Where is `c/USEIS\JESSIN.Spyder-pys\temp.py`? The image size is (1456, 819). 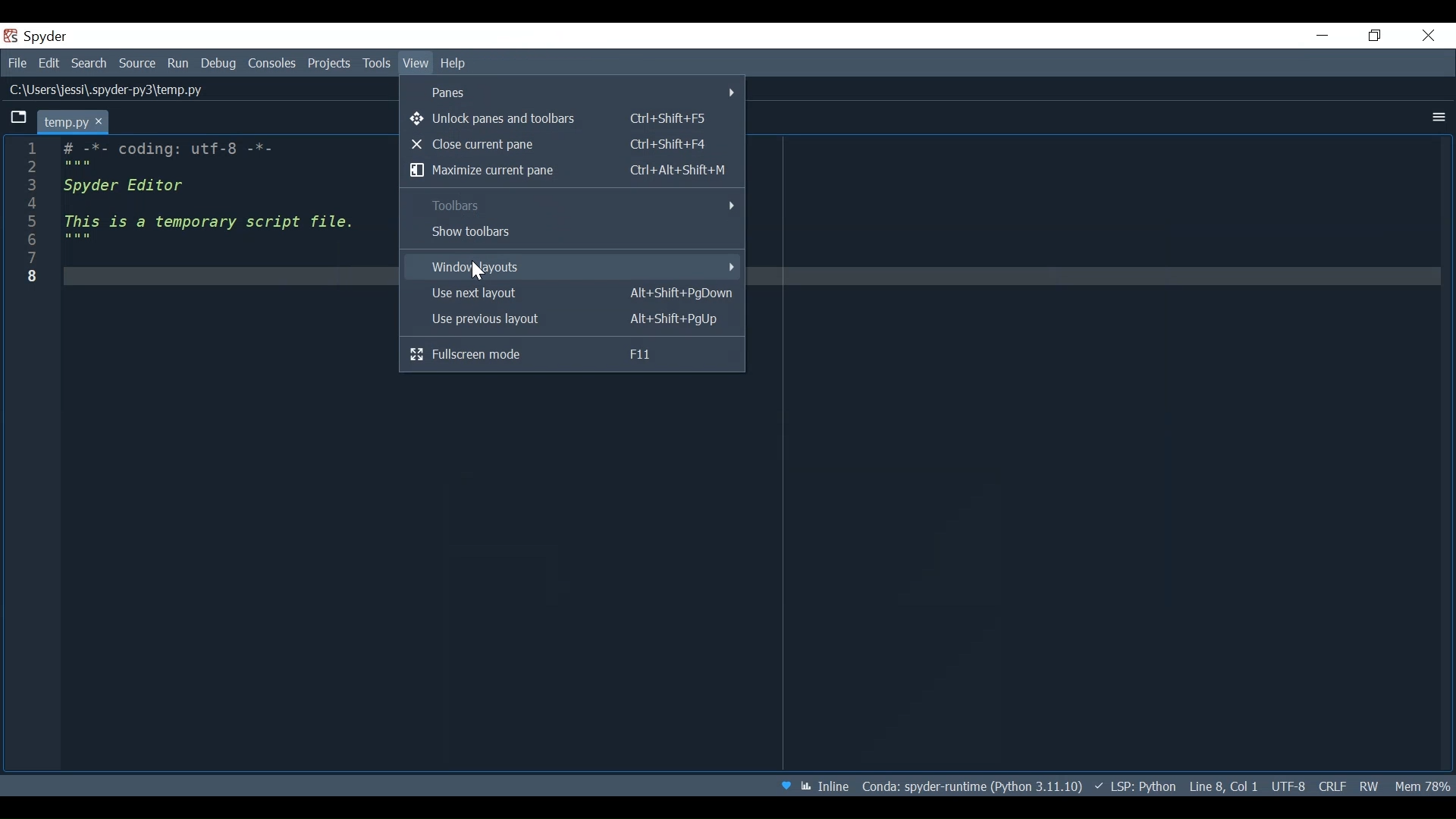
c/USEIS\JESSIN.Spyder-pys\temp.py is located at coordinates (115, 90).